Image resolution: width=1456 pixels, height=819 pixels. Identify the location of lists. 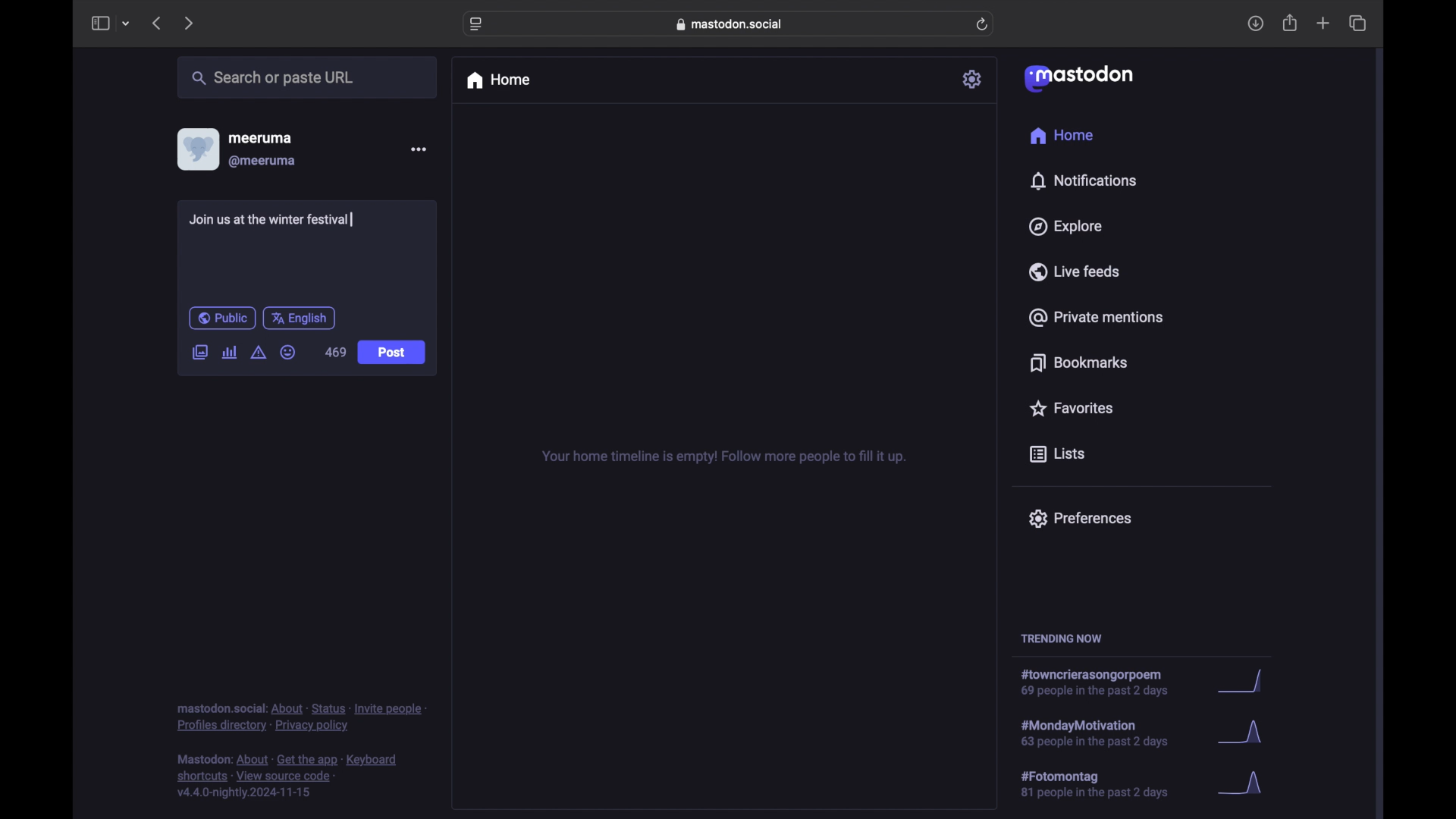
(1057, 455).